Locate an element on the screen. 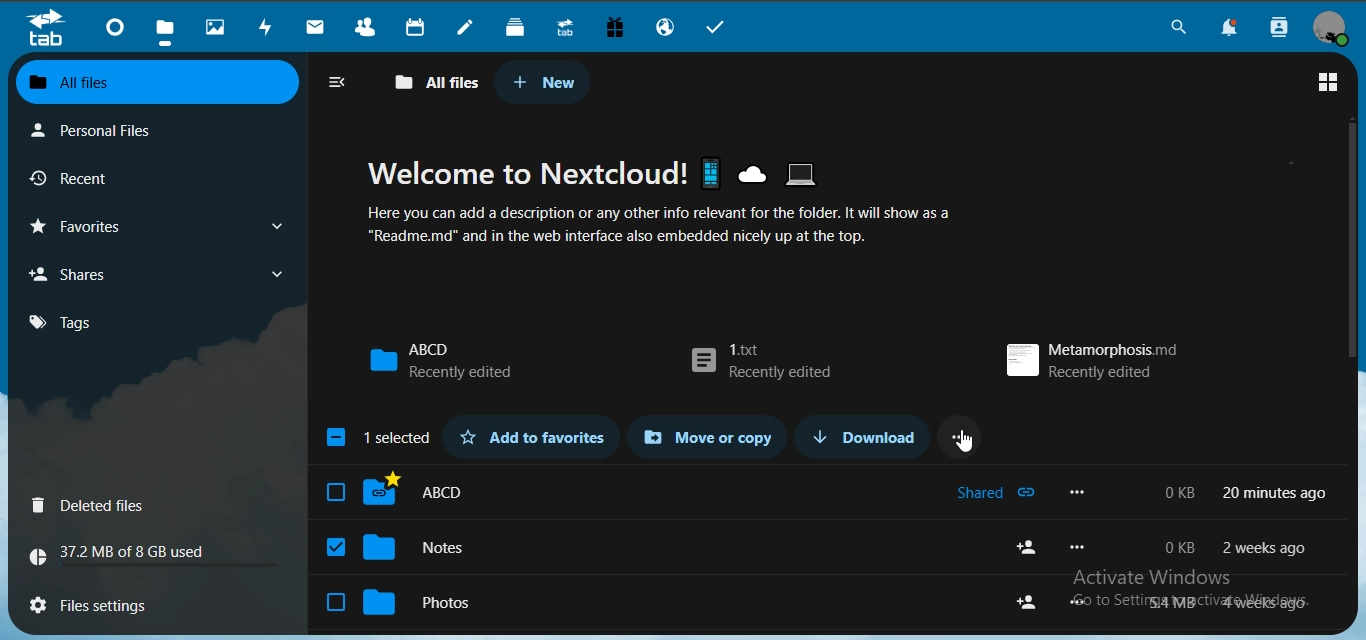 This screenshot has width=1366, height=640. search contacts is located at coordinates (1276, 29).